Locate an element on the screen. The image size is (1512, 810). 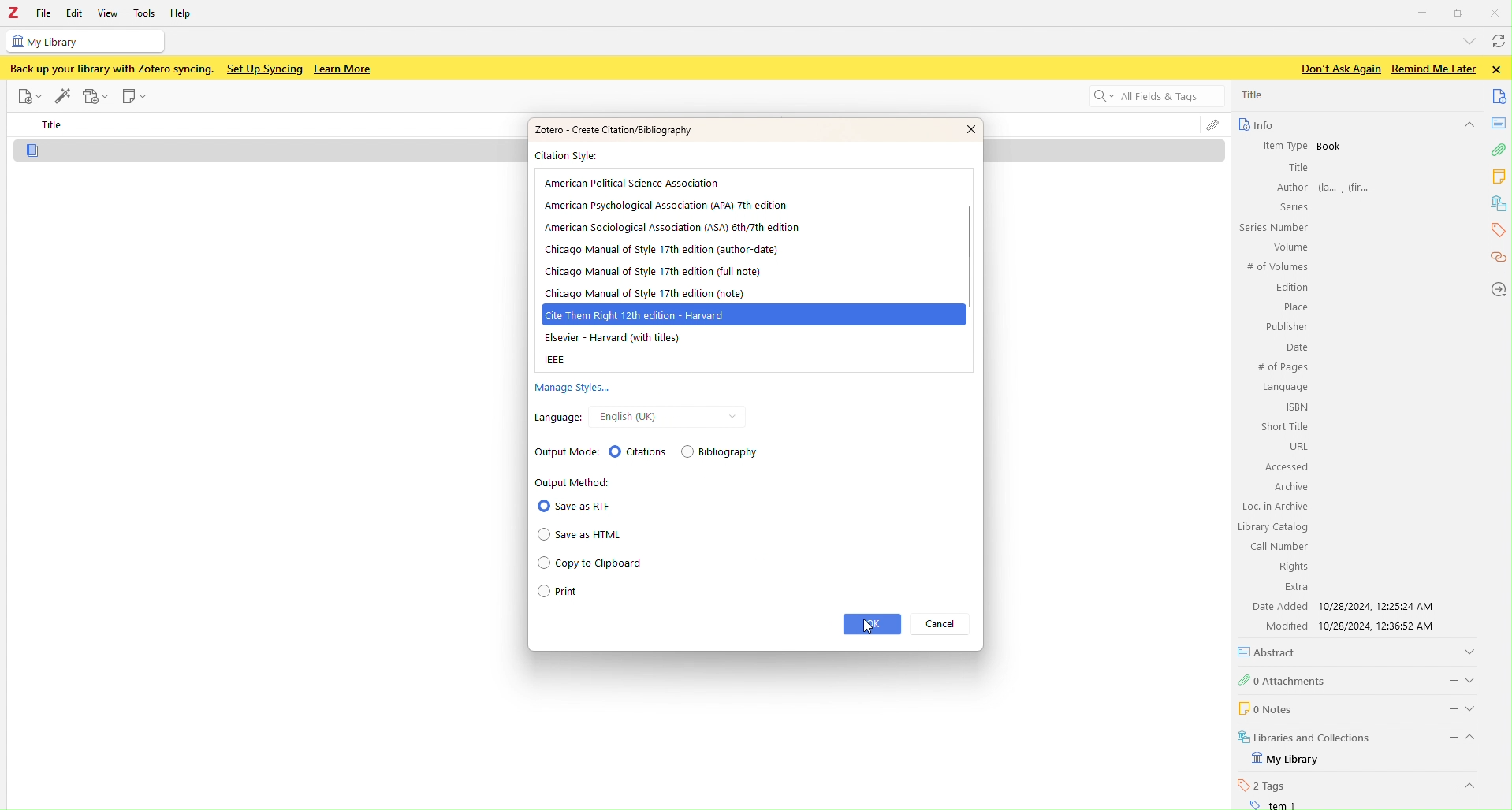
documents is located at coordinates (1500, 95).